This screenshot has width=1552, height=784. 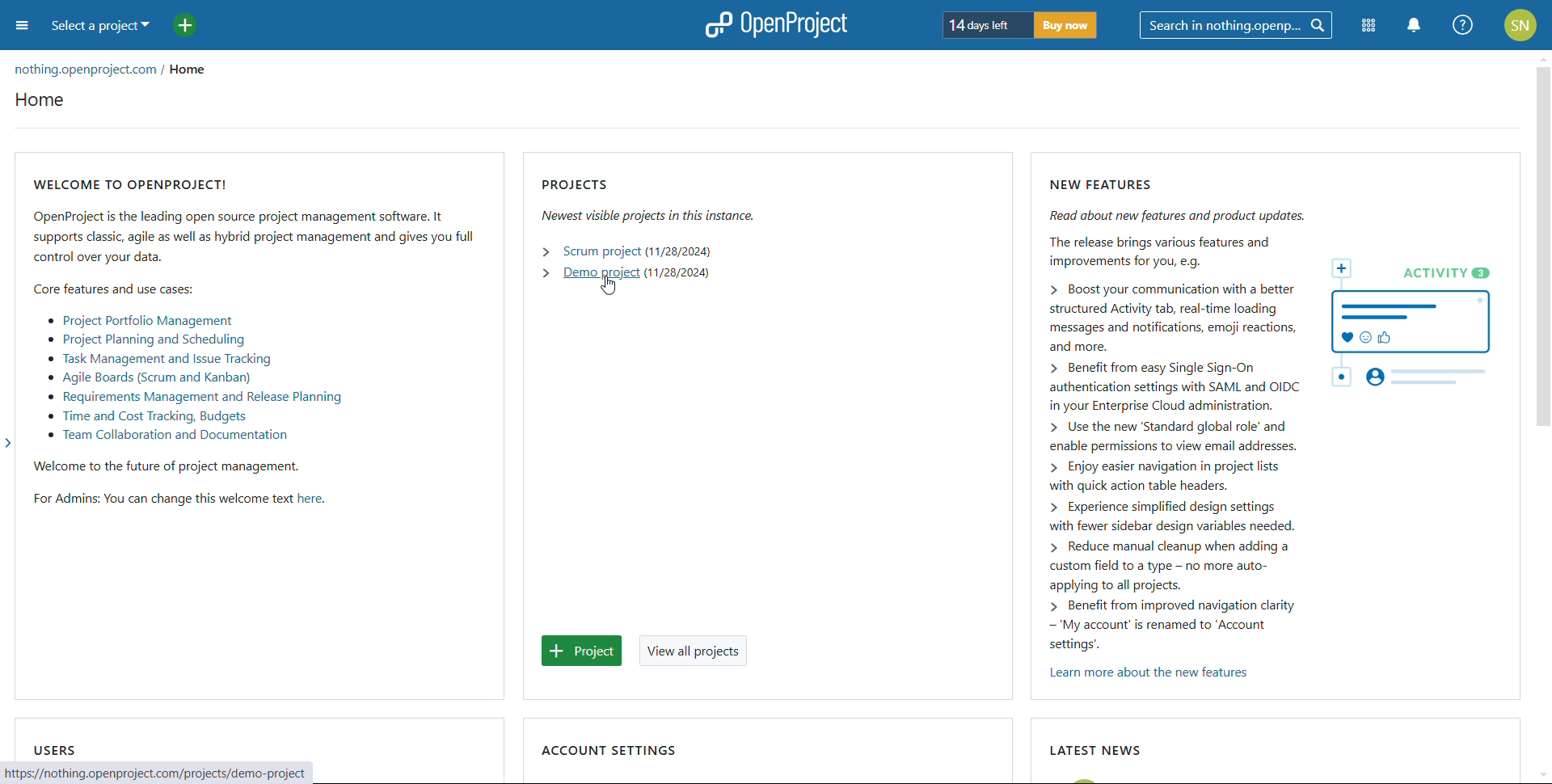 I want to click on welcome text, so click(x=311, y=499).